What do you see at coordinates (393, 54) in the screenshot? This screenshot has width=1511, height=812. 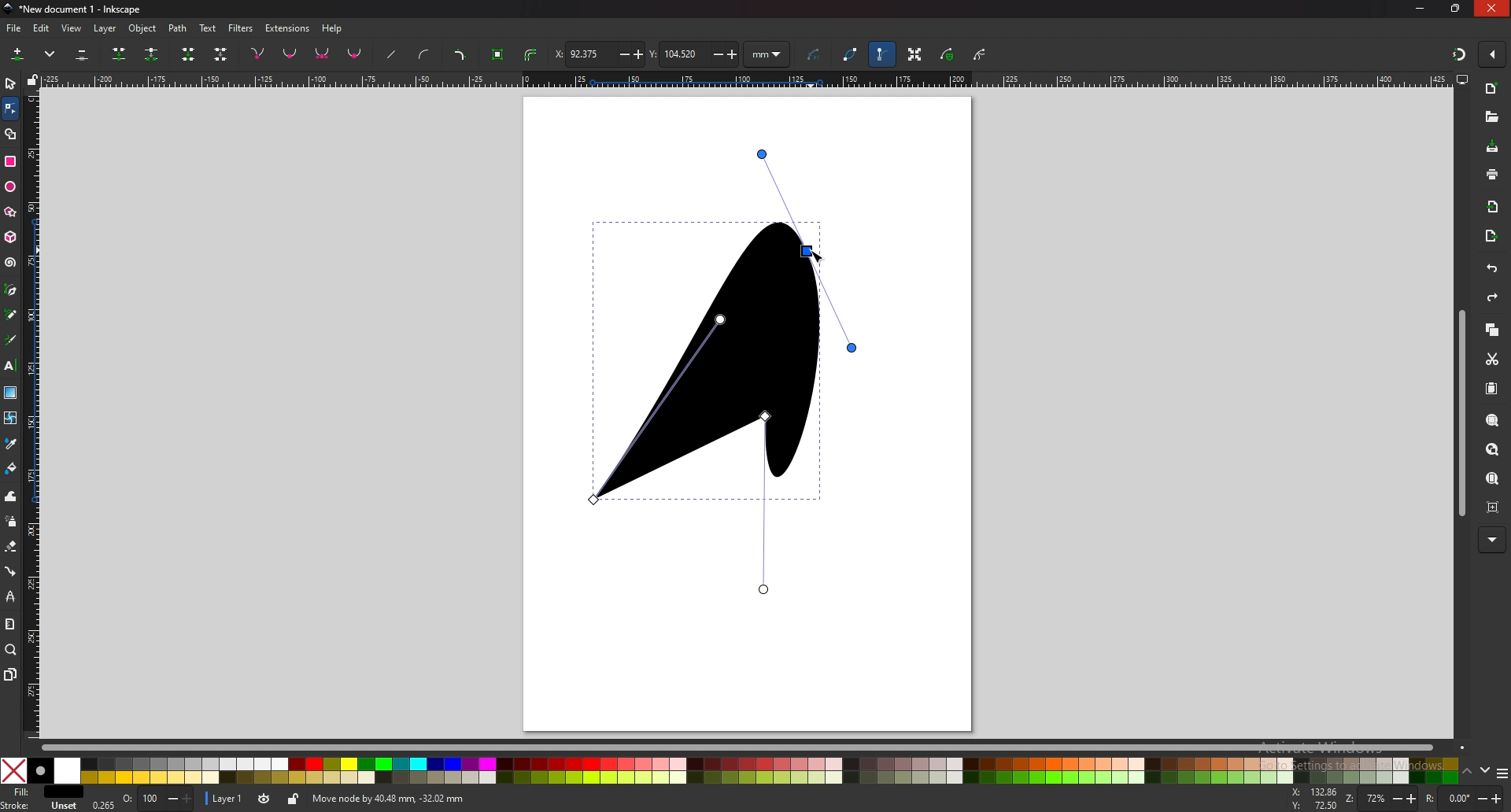 I see `straighten lines` at bounding box center [393, 54].